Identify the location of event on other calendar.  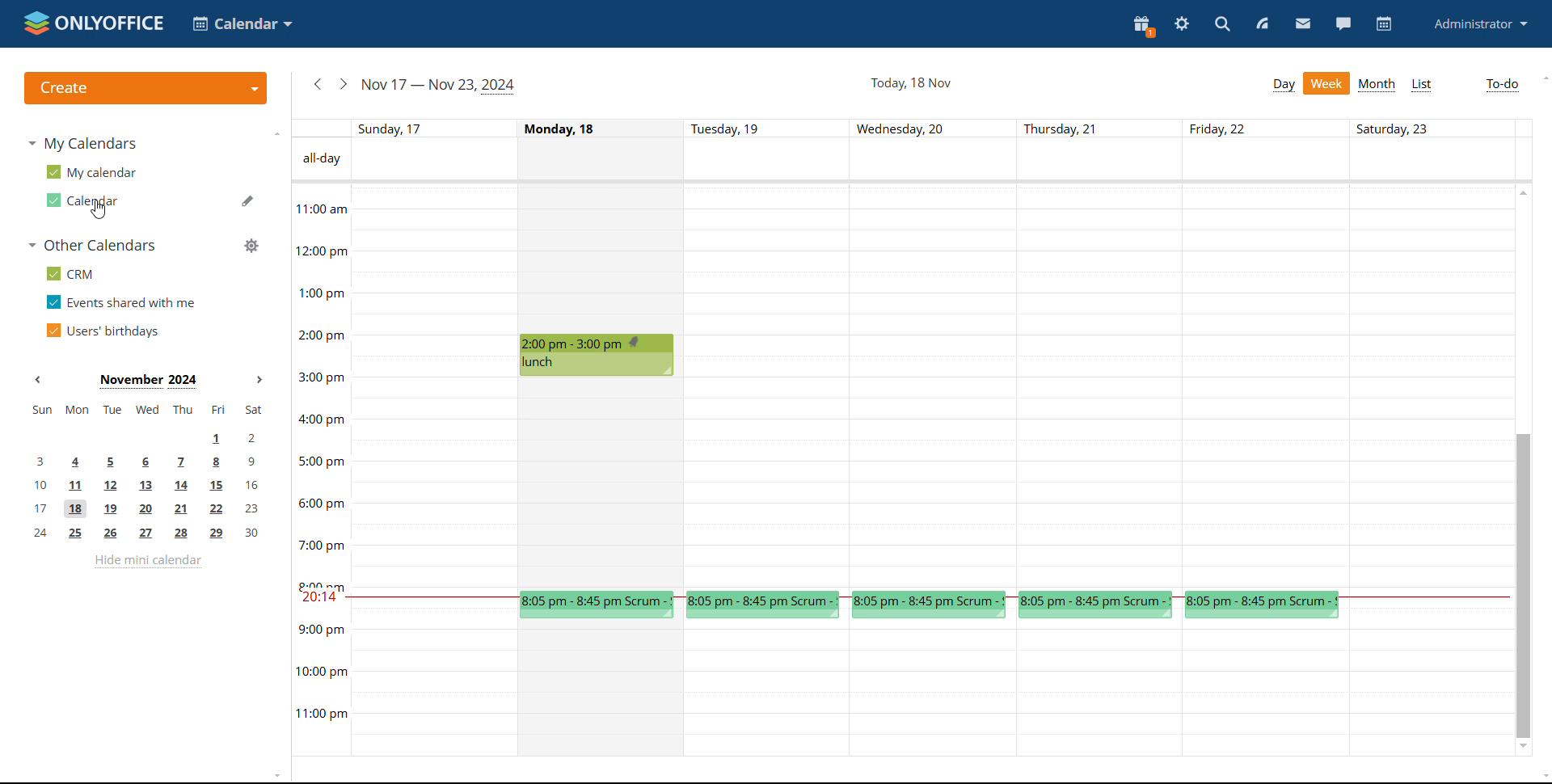
(928, 604).